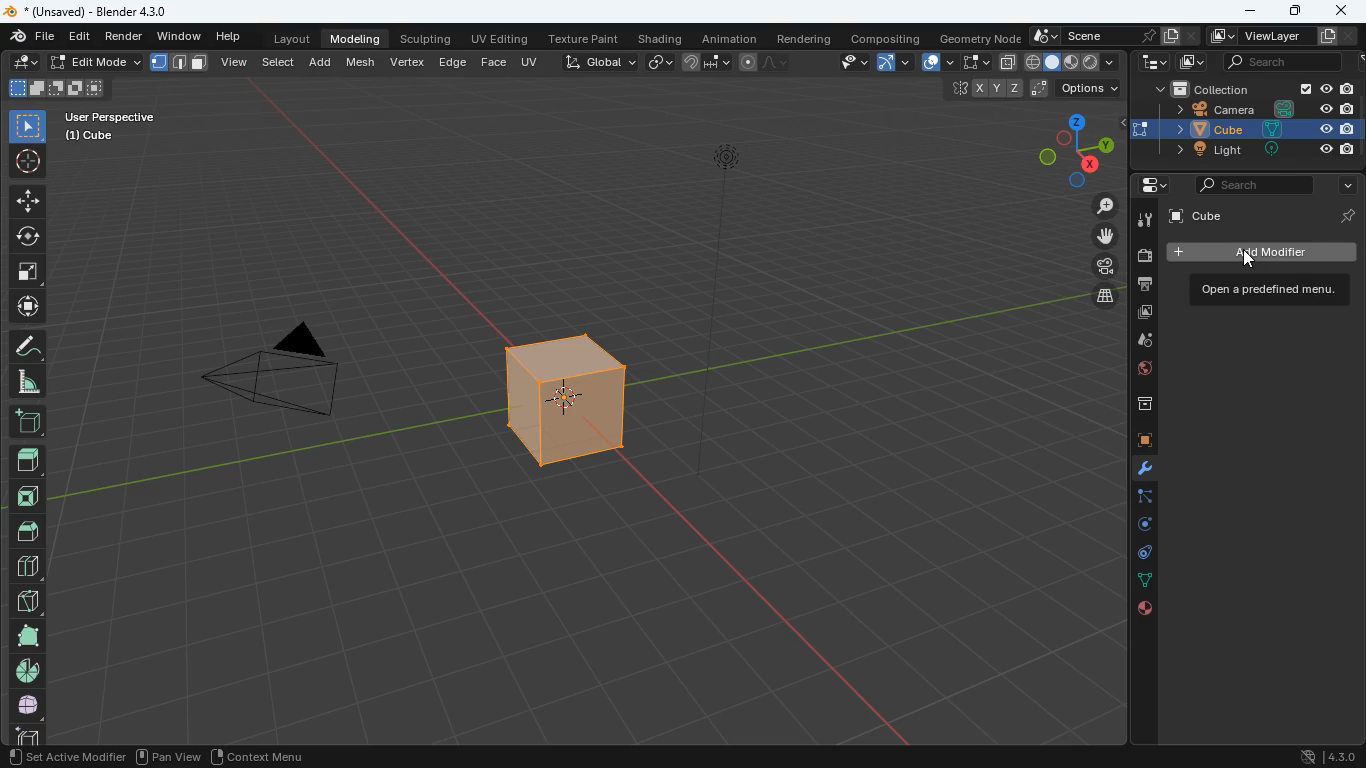  Describe the element at coordinates (264, 756) in the screenshot. I see `context menu` at that location.